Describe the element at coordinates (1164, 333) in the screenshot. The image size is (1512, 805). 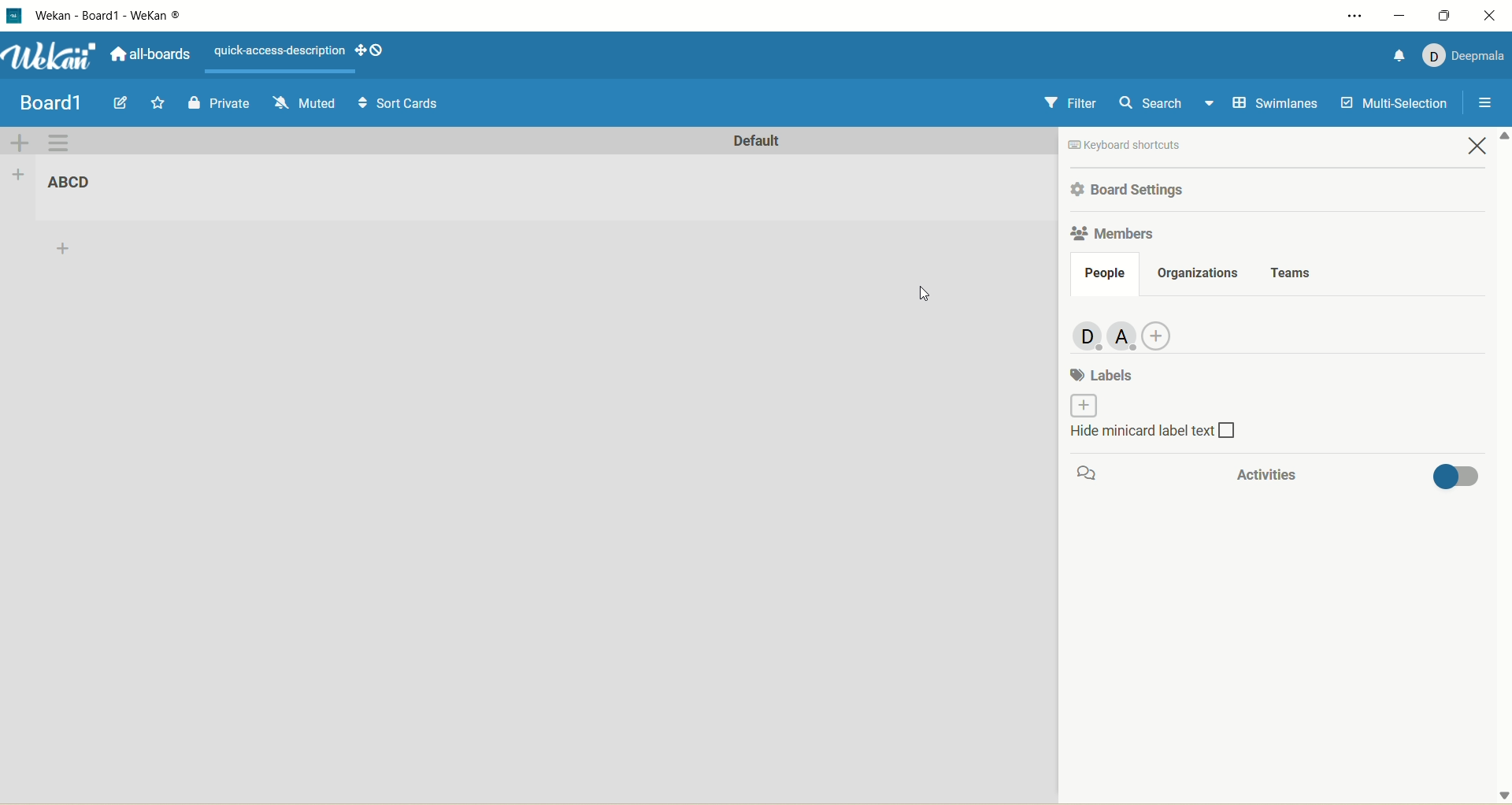
I see `add member` at that location.